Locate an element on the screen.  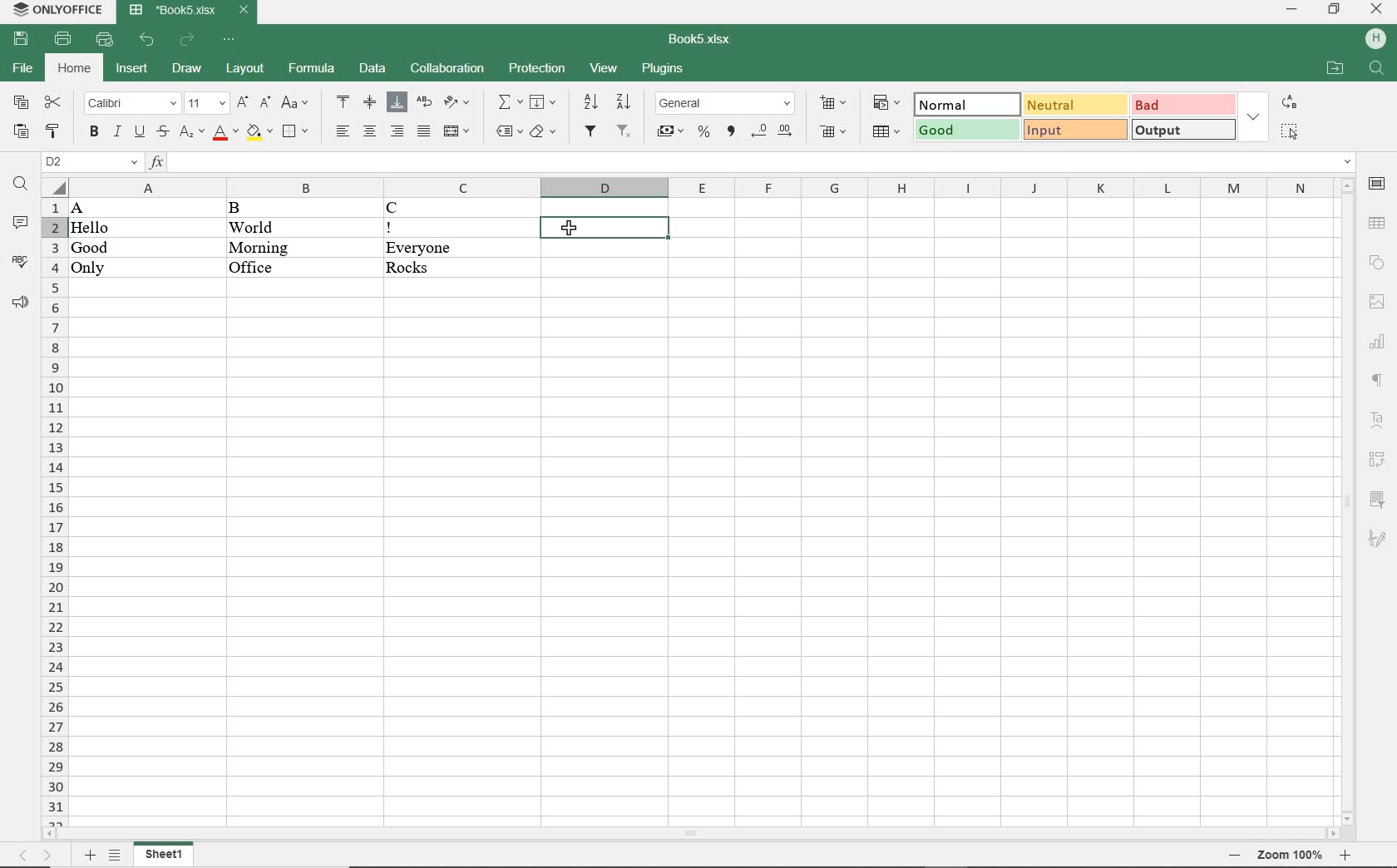
SORT DESCENDING is located at coordinates (624, 101).